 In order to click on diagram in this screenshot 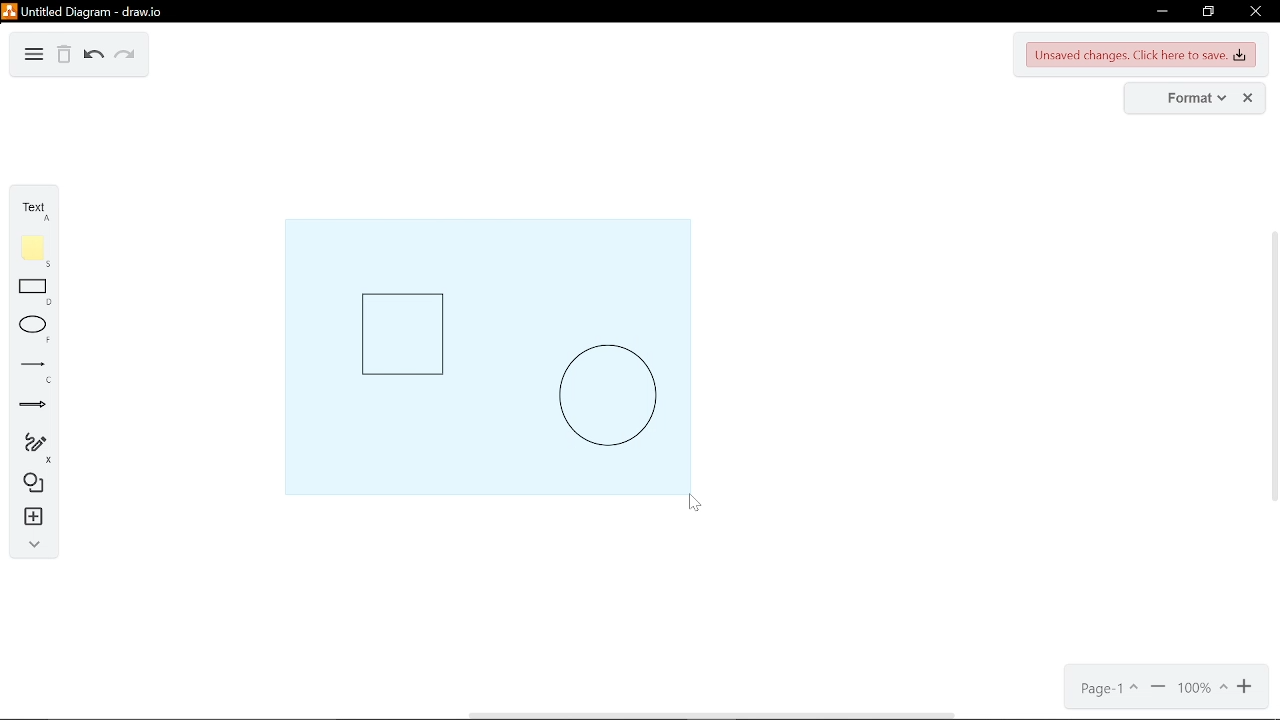, I will do `click(34, 56)`.